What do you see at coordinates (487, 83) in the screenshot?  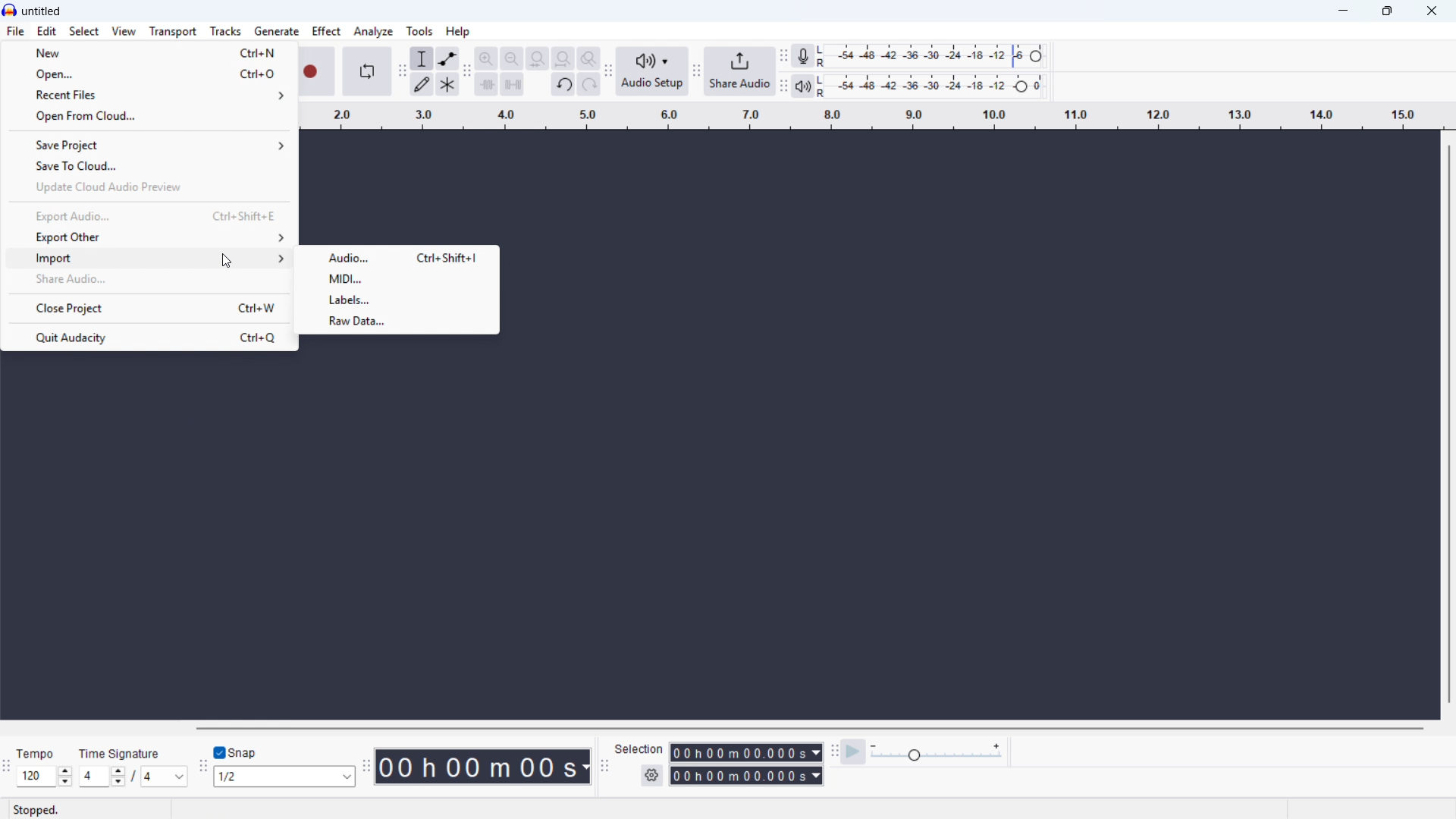 I see `Trim audio outside selection ` at bounding box center [487, 83].